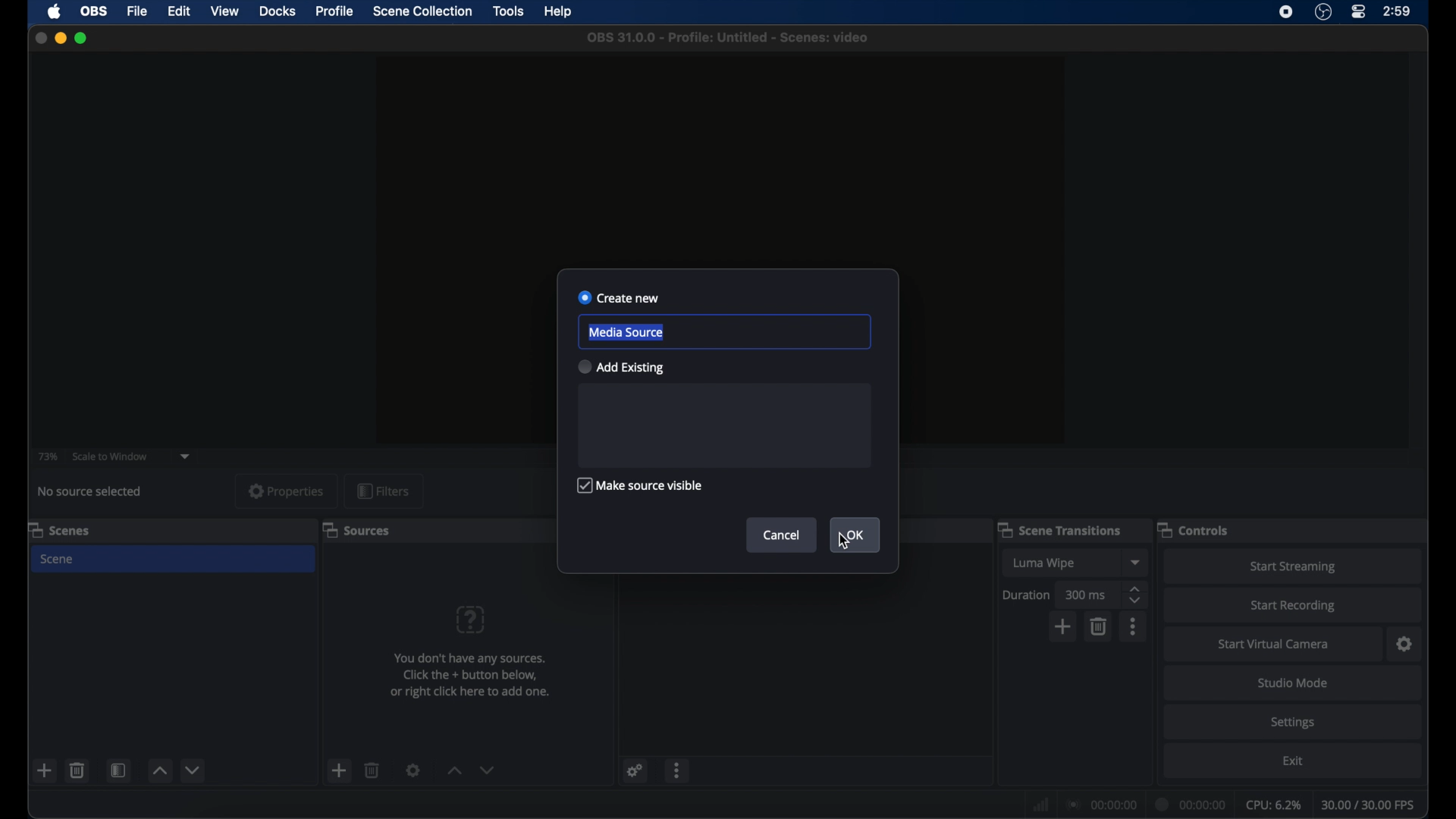 Image resolution: width=1456 pixels, height=819 pixels. What do you see at coordinates (1287, 12) in the screenshot?
I see `screen recorder icon` at bounding box center [1287, 12].